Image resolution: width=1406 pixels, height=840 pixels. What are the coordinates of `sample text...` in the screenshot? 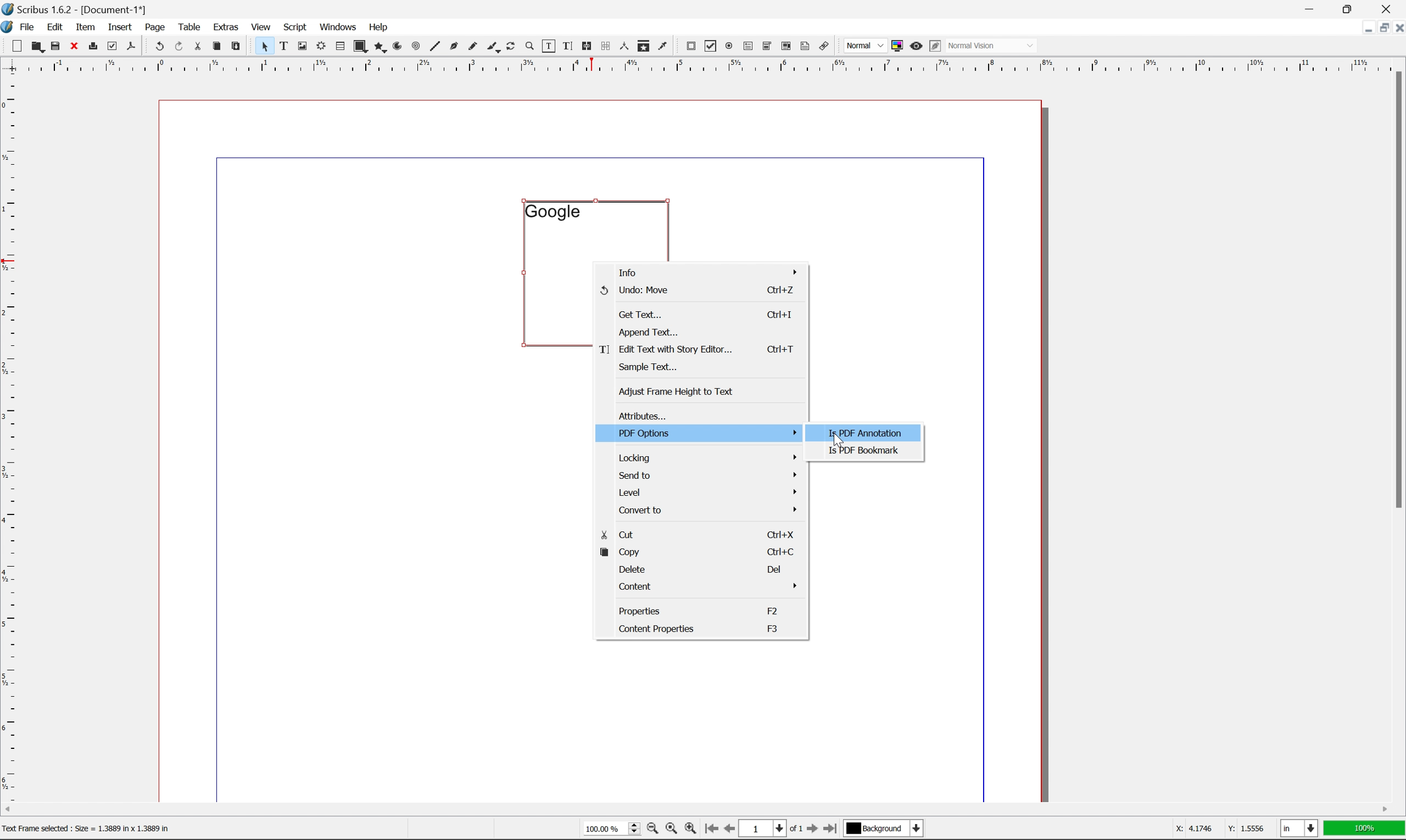 It's located at (648, 367).